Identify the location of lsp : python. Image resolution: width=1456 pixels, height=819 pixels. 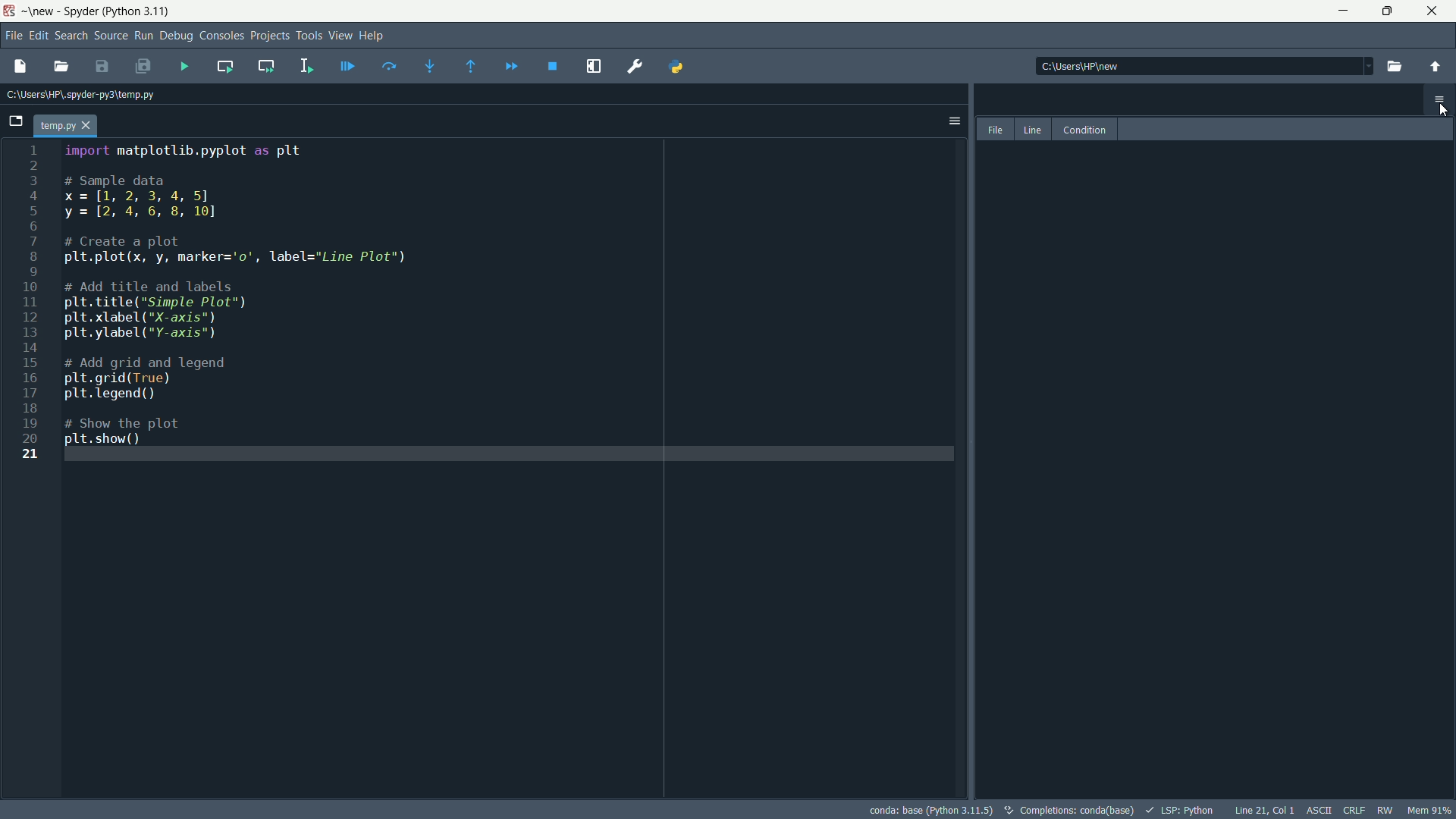
(1181, 809).